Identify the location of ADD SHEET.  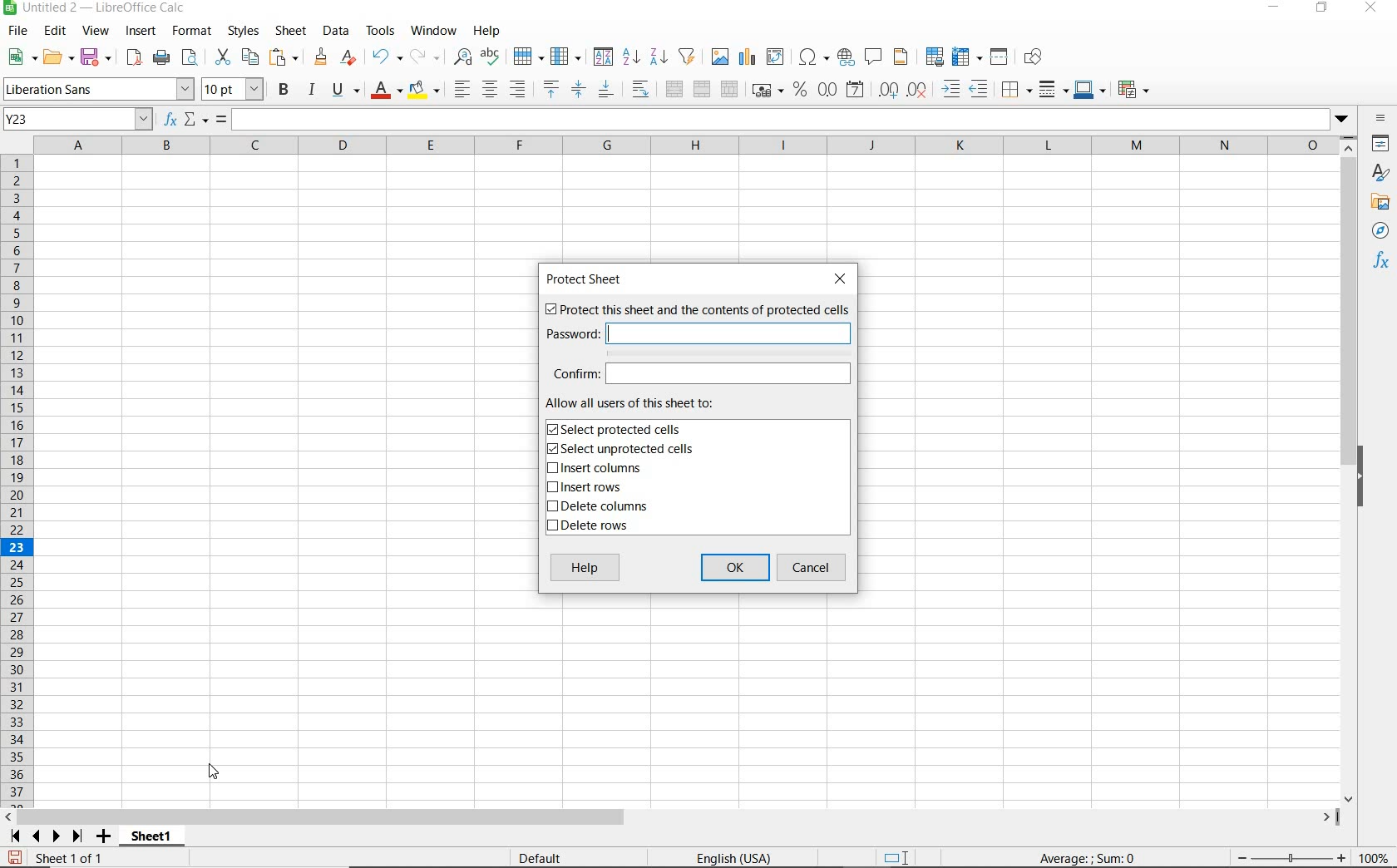
(106, 837).